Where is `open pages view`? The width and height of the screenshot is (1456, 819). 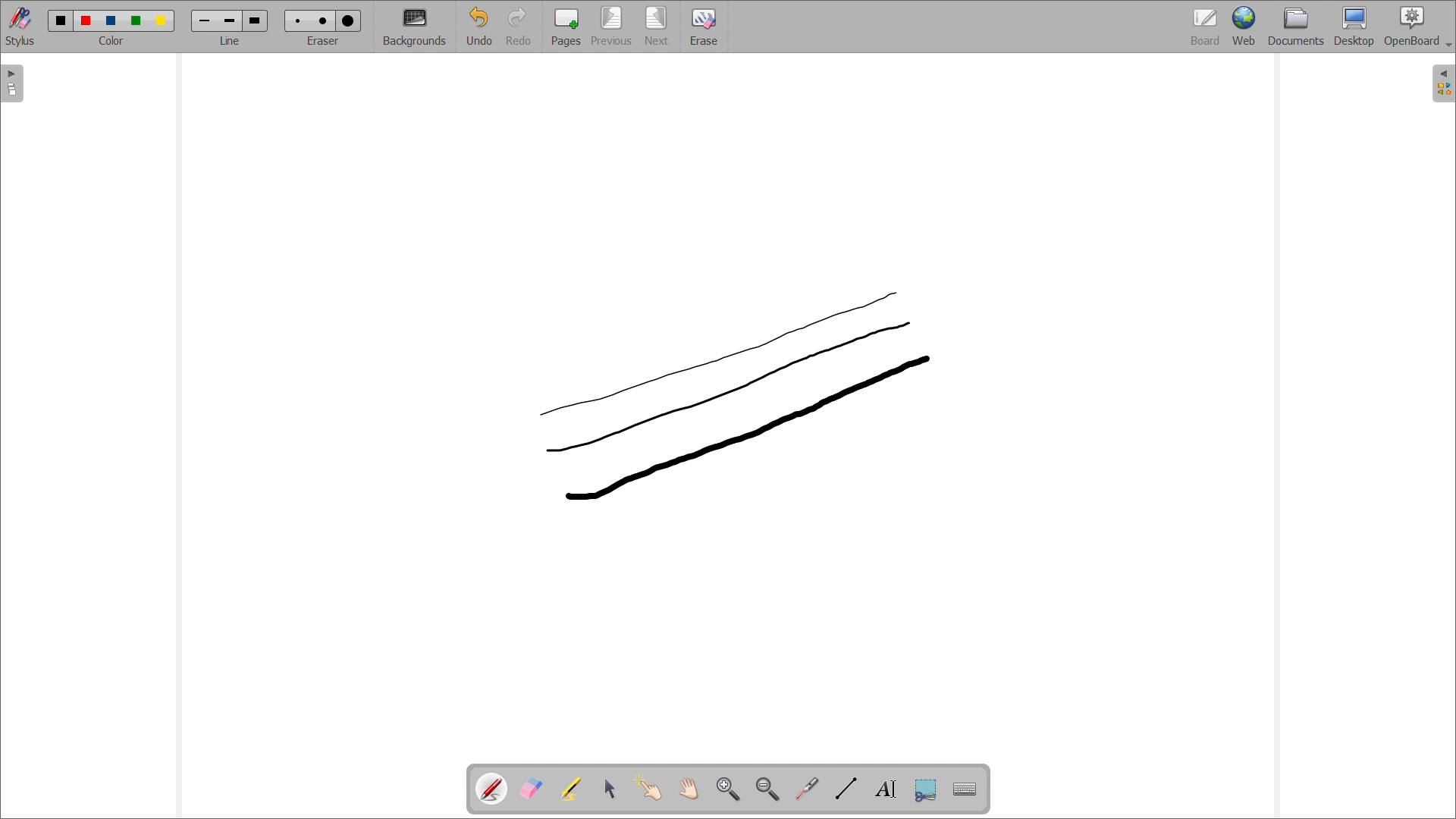 open pages view is located at coordinates (13, 83).